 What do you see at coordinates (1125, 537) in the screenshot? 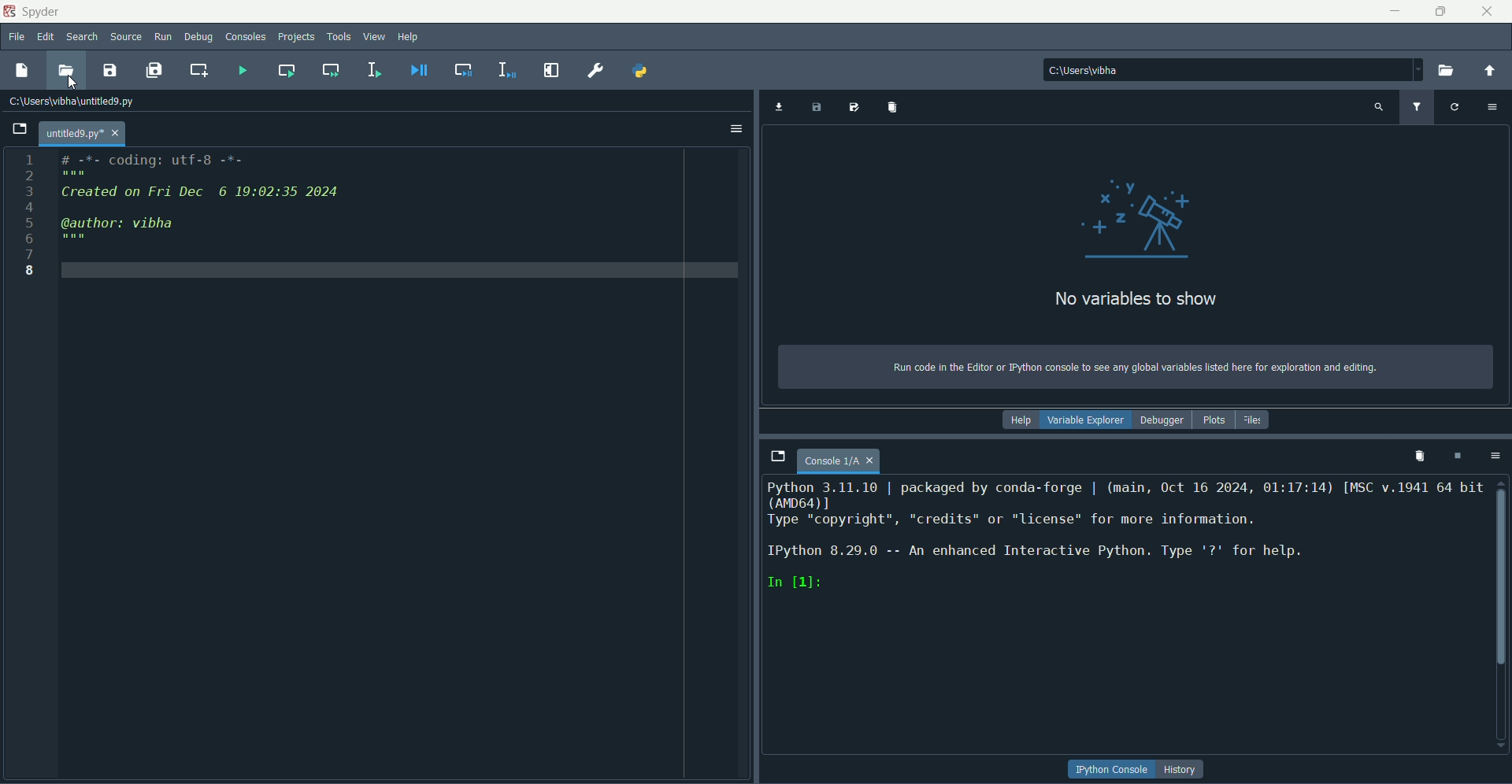
I see `text` at bounding box center [1125, 537].